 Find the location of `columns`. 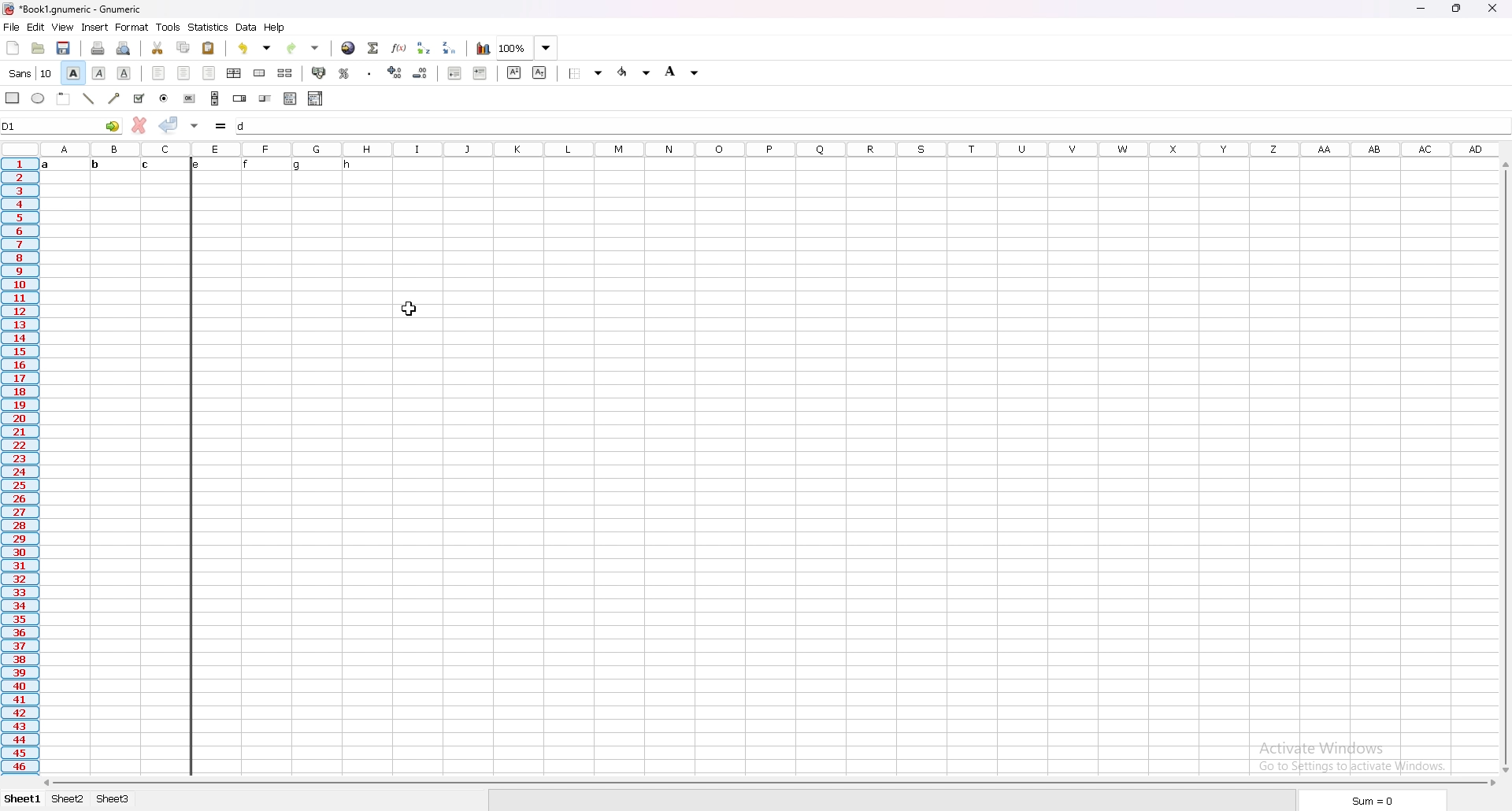

columns is located at coordinates (768, 148).